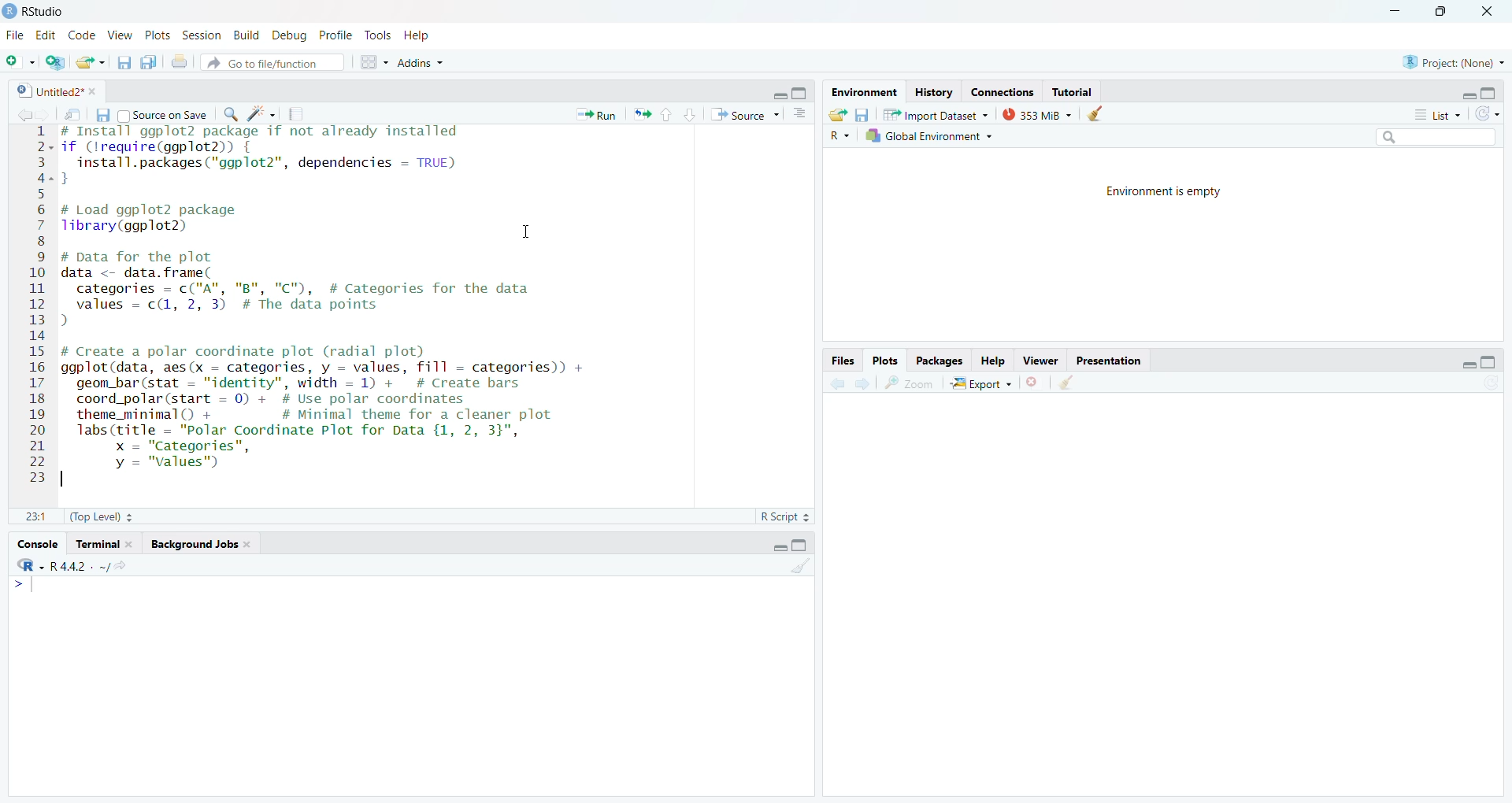  Describe the element at coordinates (800, 92) in the screenshot. I see `hide console` at that location.